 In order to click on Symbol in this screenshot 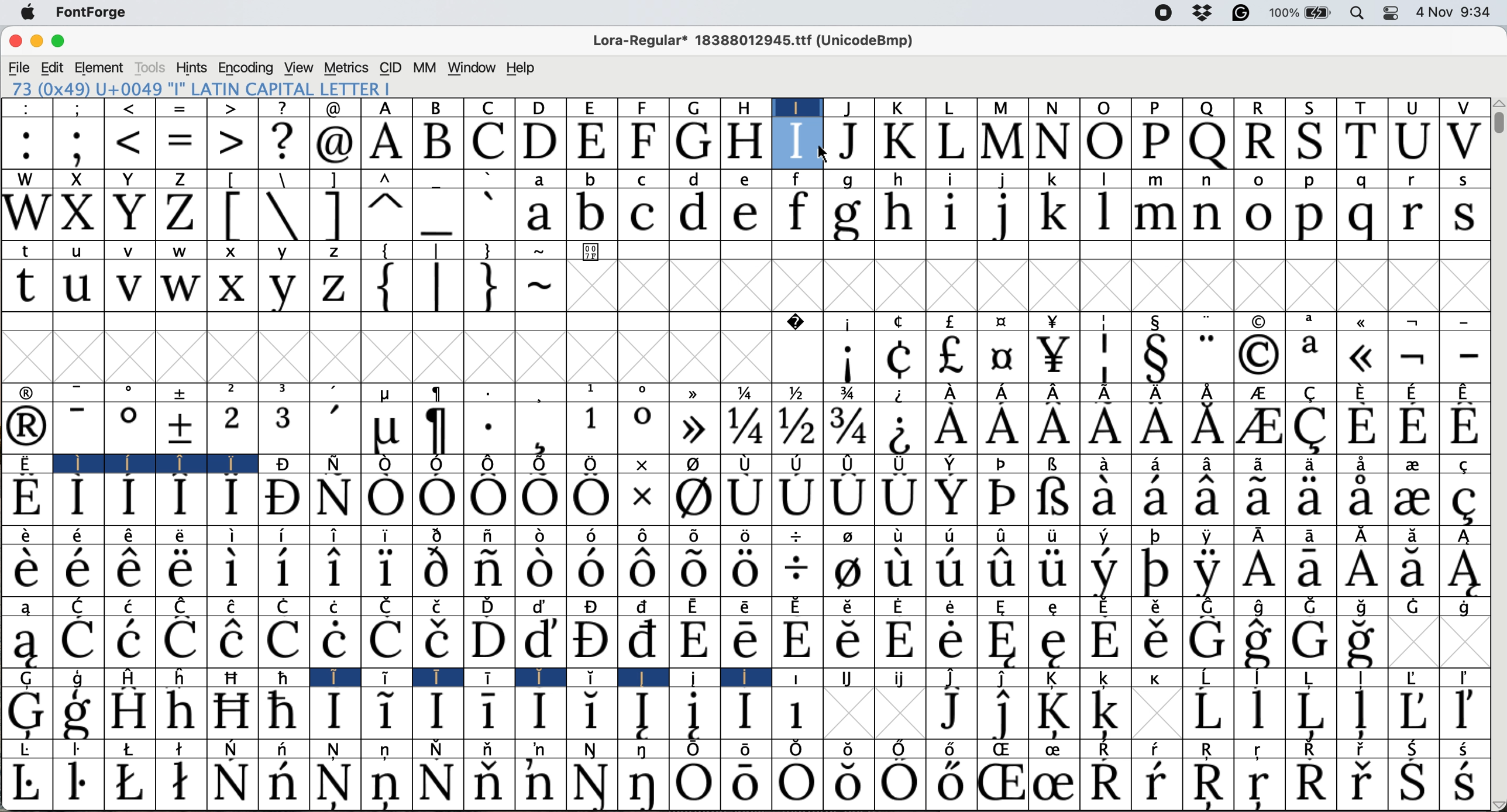, I will do `click(590, 501)`.